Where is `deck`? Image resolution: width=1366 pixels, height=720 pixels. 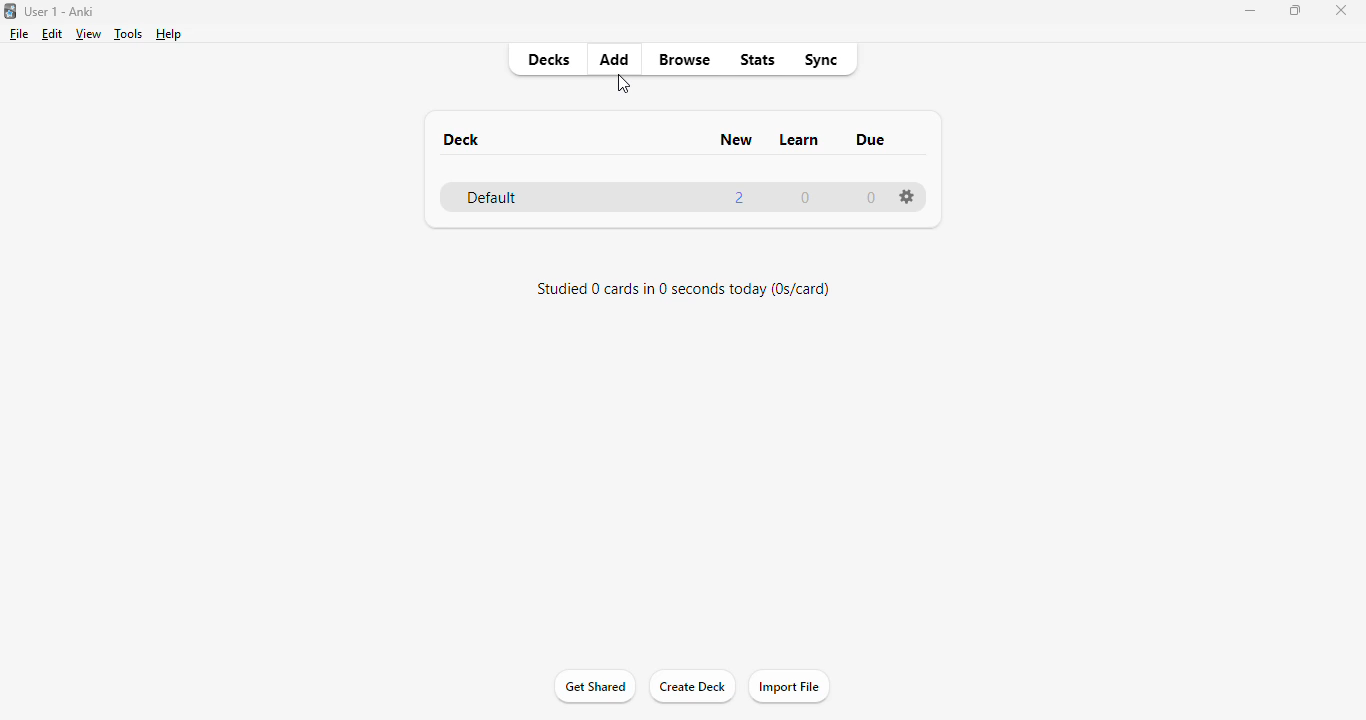
deck is located at coordinates (462, 140).